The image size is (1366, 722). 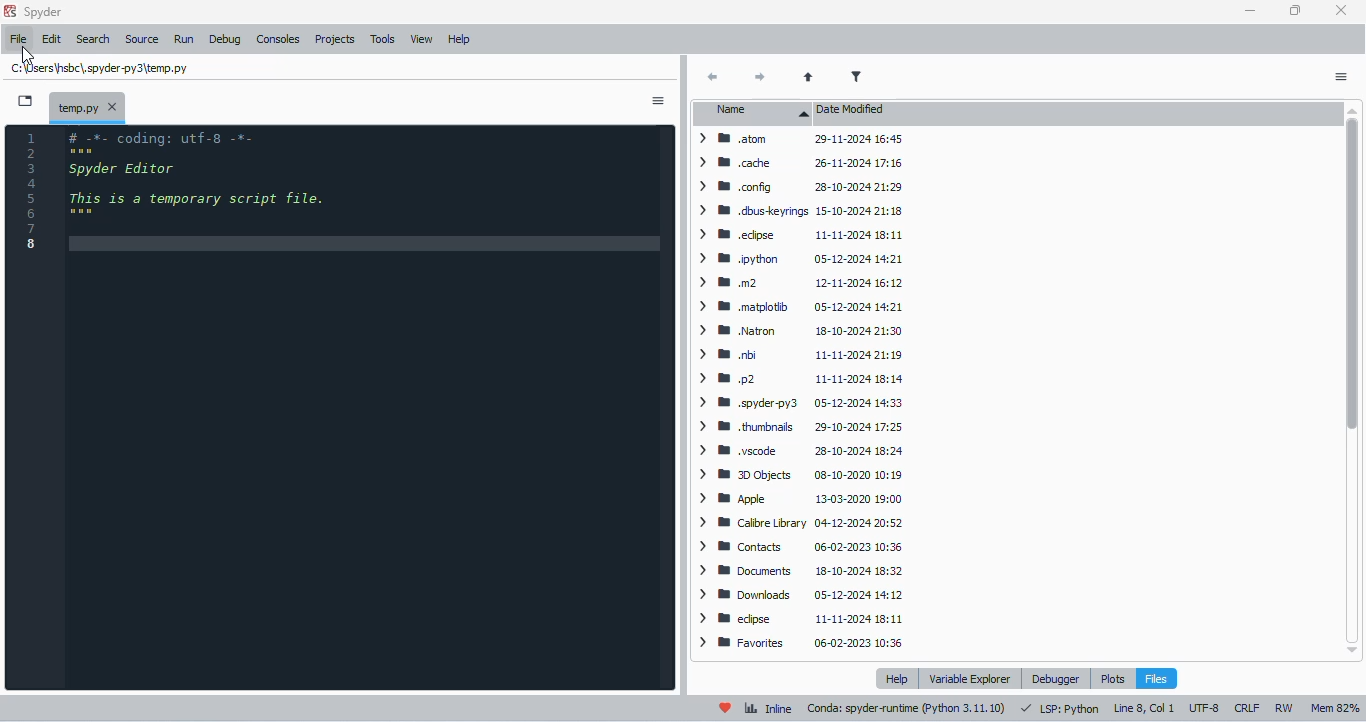 What do you see at coordinates (796, 186) in the screenshot?
I see `> Mm config 28-10-2024 21:29` at bounding box center [796, 186].